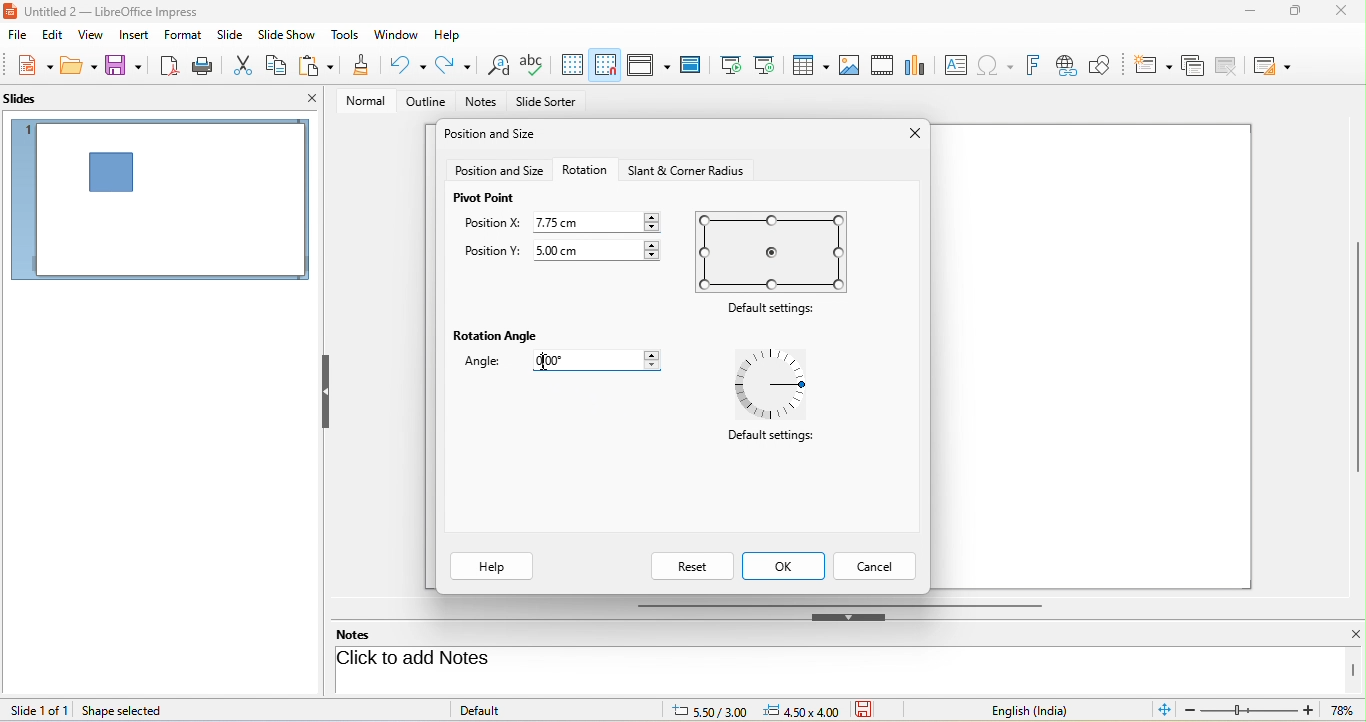 The width and height of the screenshot is (1366, 722). Describe the element at coordinates (325, 392) in the screenshot. I see `hide` at that location.